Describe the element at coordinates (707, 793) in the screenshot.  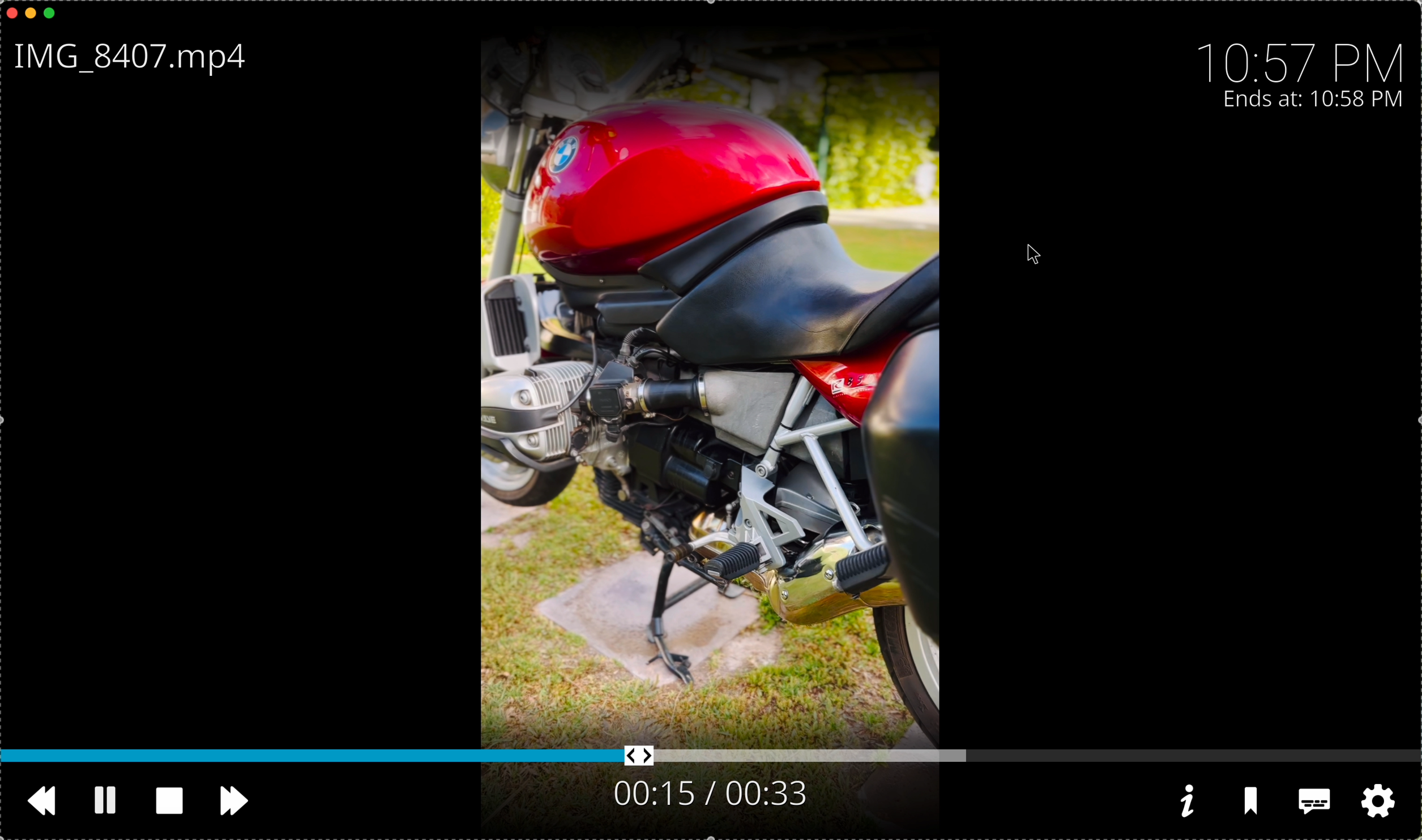
I see `00:15 / 00:33` at that location.